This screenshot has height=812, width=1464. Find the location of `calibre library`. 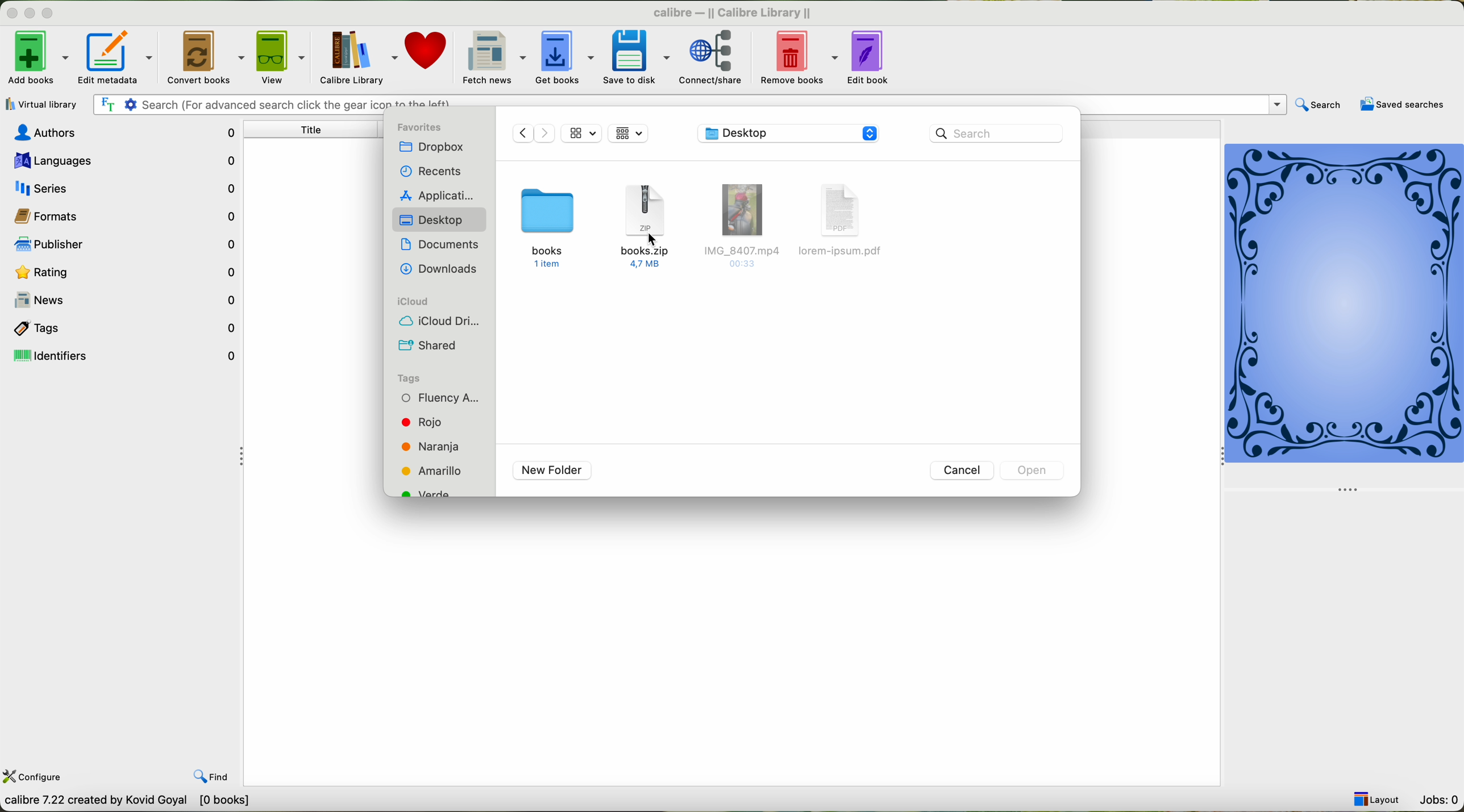

calibre library is located at coordinates (357, 58).